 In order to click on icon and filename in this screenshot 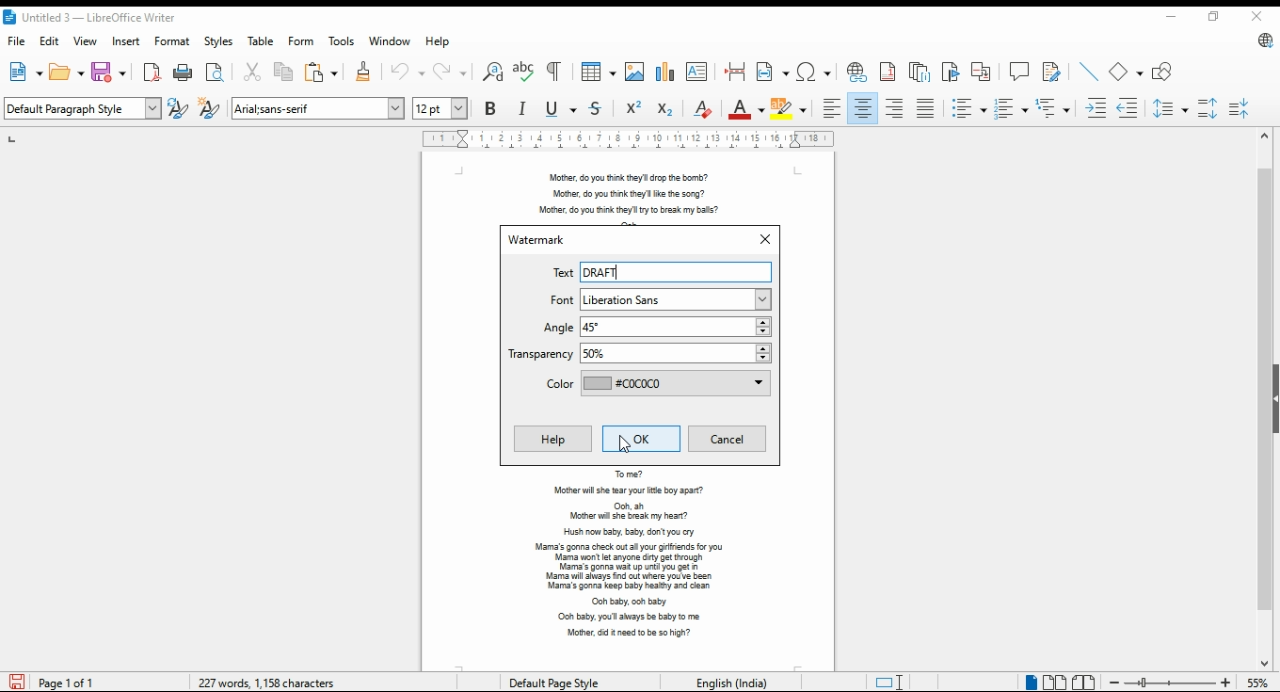, I will do `click(108, 17)`.